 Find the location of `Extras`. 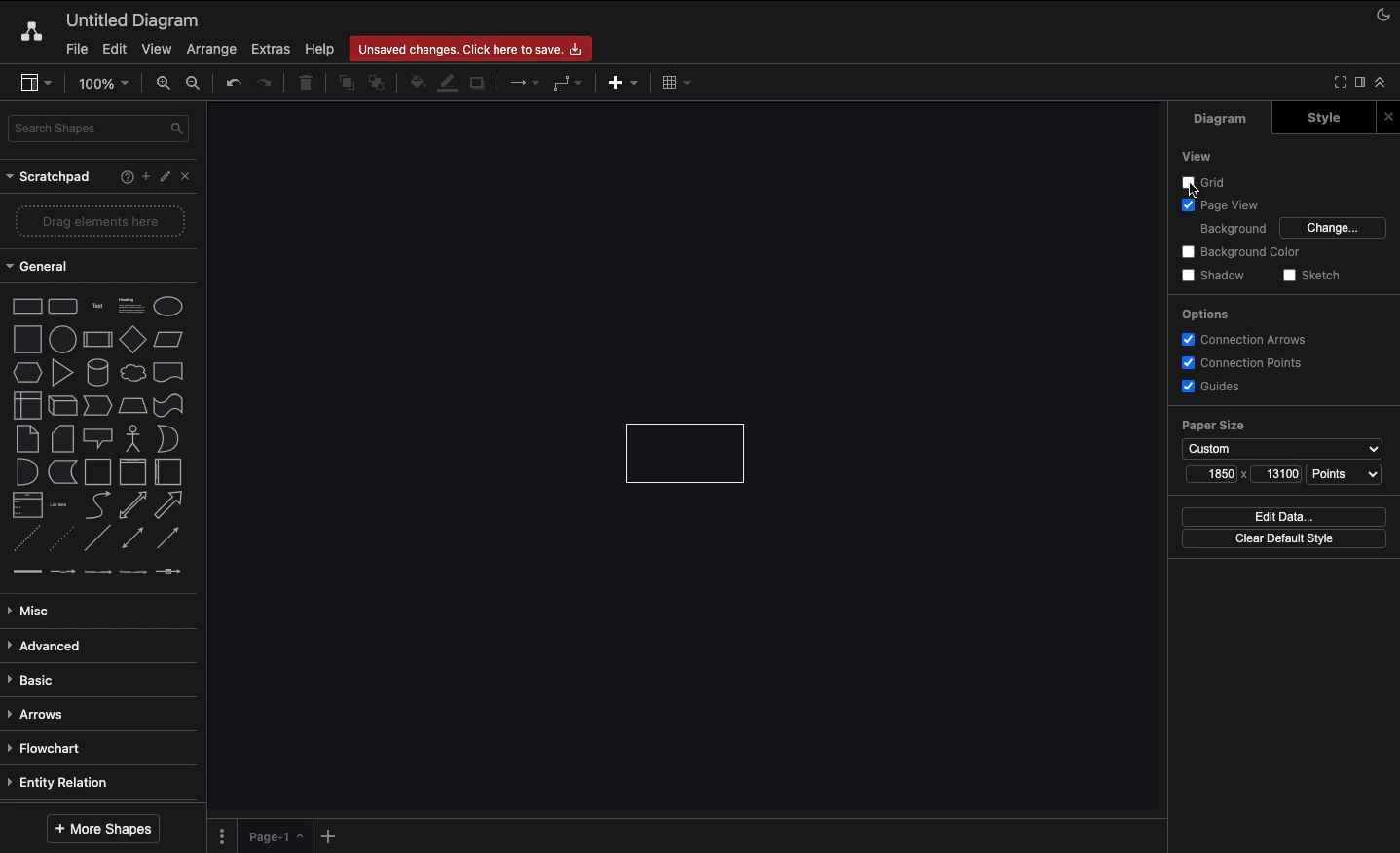

Extras is located at coordinates (268, 50).